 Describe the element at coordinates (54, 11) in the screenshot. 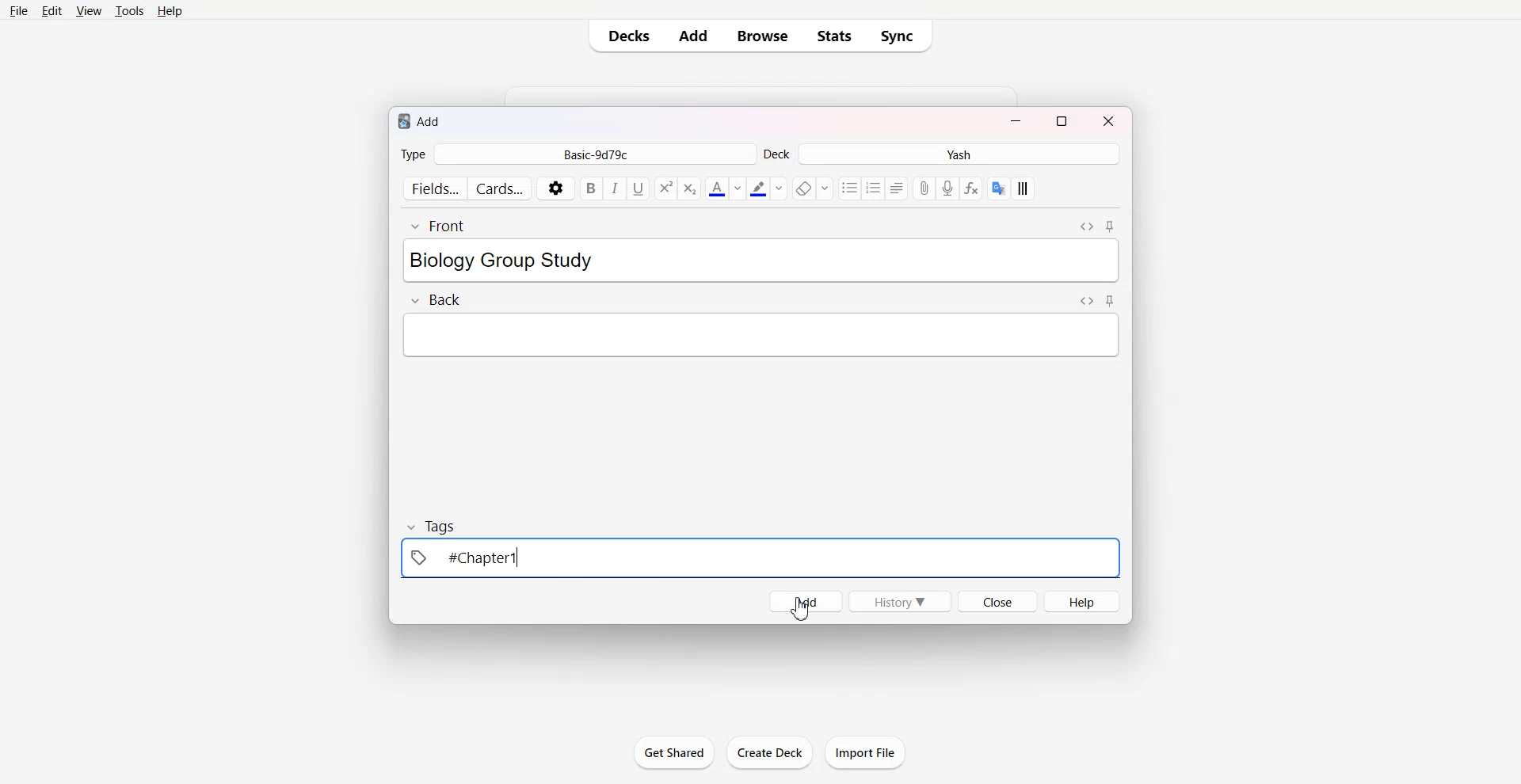

I see `Edit` at that location.